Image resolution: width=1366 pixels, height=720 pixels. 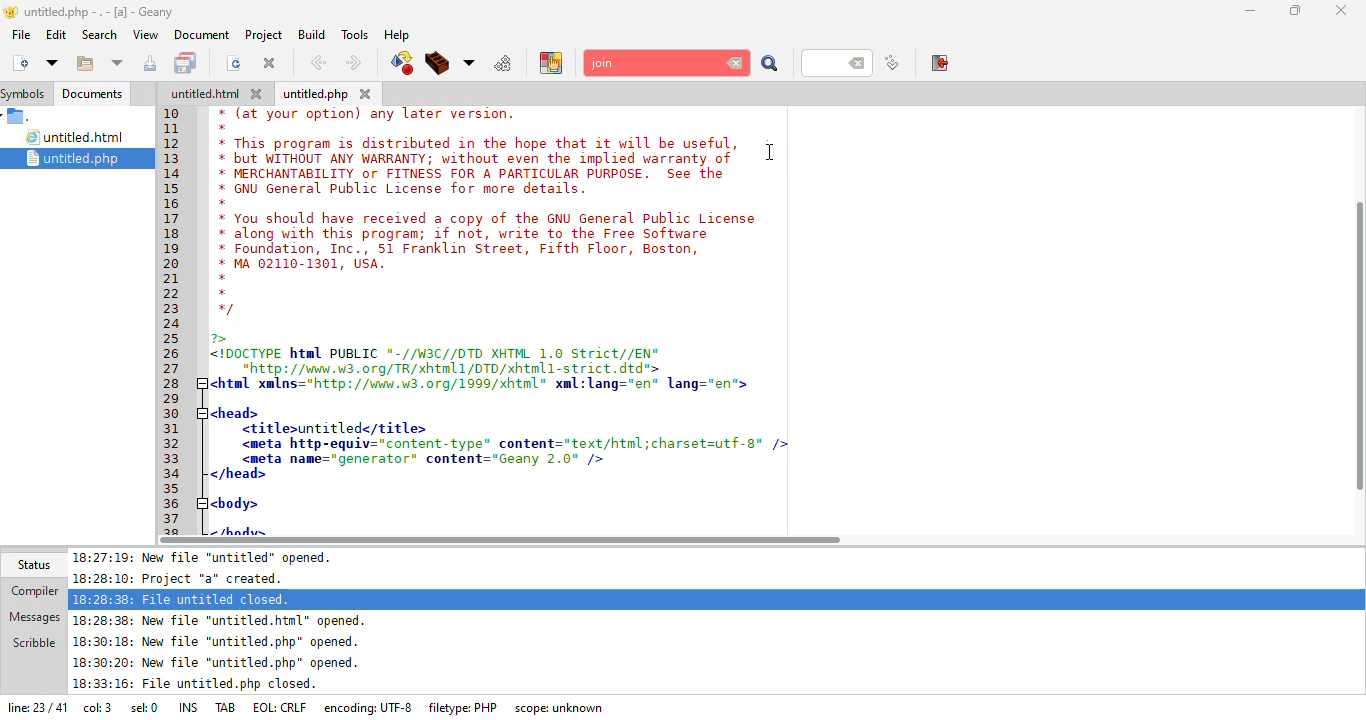 I want to click on 14, so click(x=174, y=174).